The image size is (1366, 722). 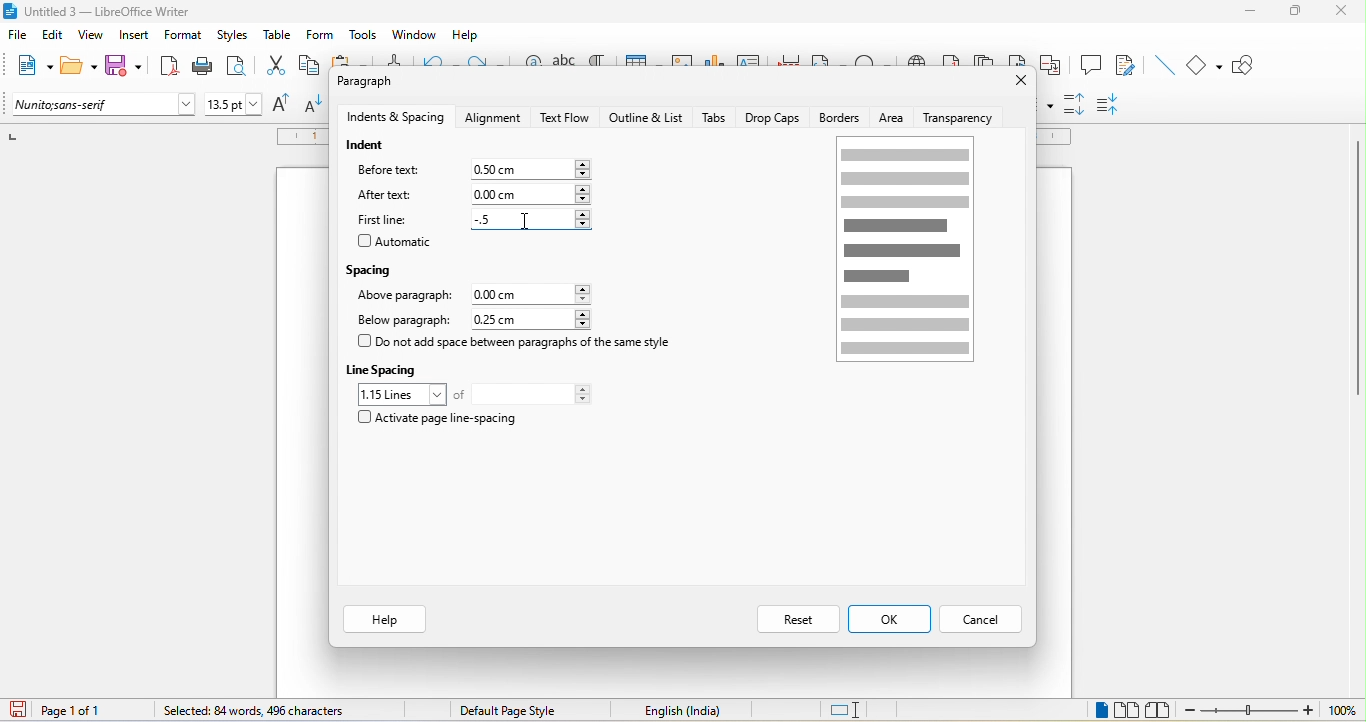 I want to click on cut, so click(x=276, y=67).